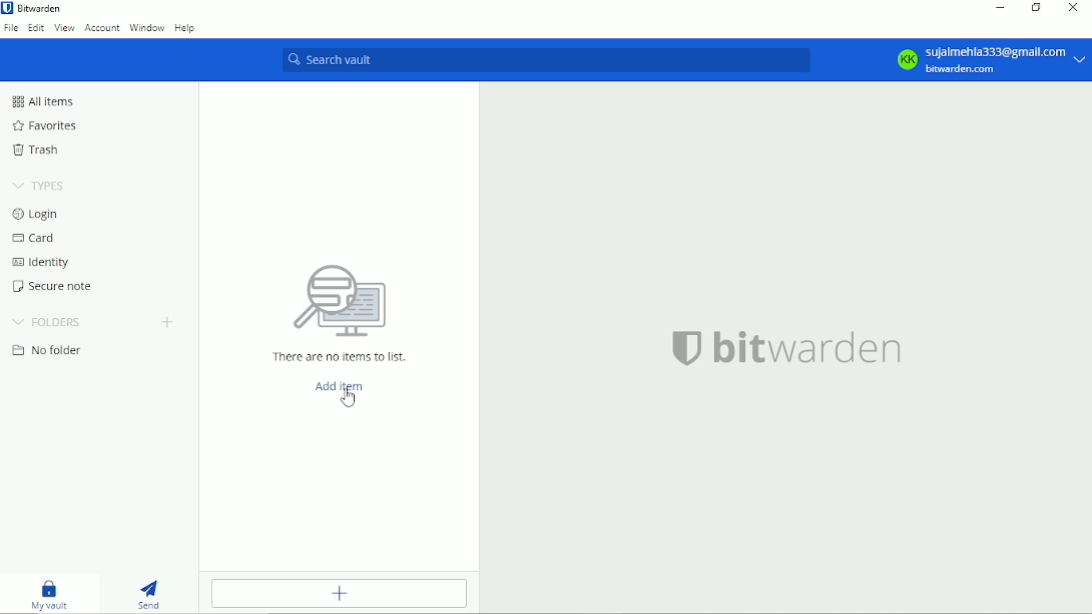 The height and width of the screenshot is (614, 1092). What do you see at coordinates (11, 29) in the screenshot?
I see `File` at bounding box center [11, 29].